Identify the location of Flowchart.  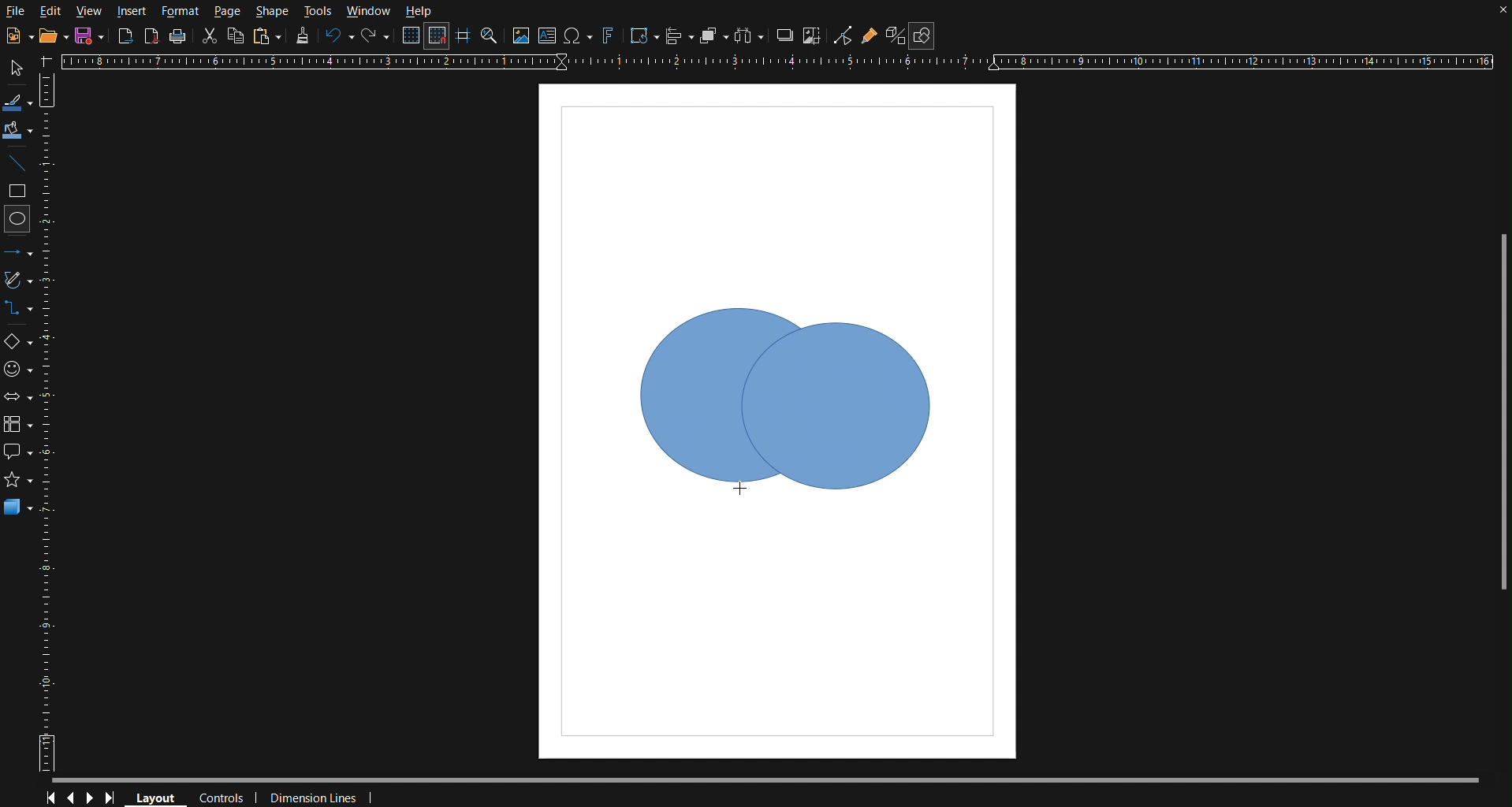
(18, 426).